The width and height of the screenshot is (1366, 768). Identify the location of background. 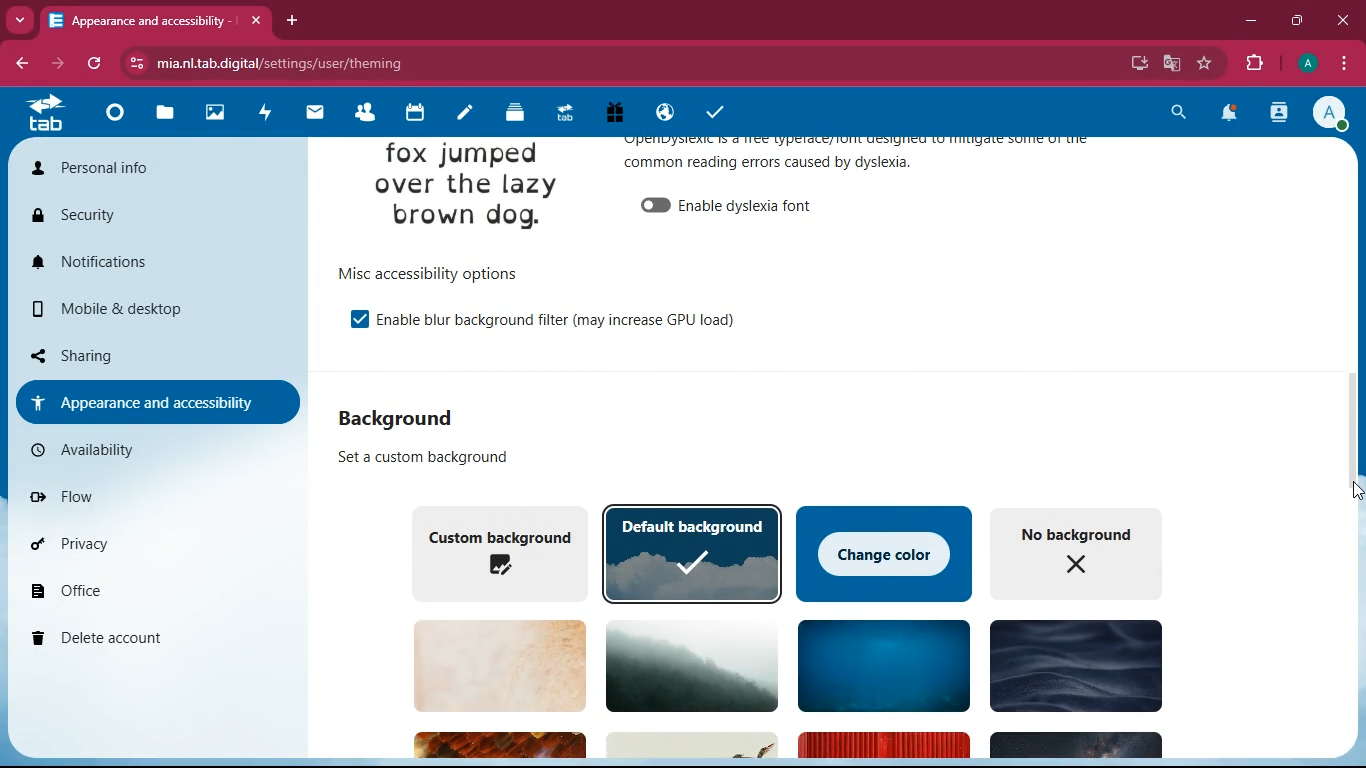
(406, 417).